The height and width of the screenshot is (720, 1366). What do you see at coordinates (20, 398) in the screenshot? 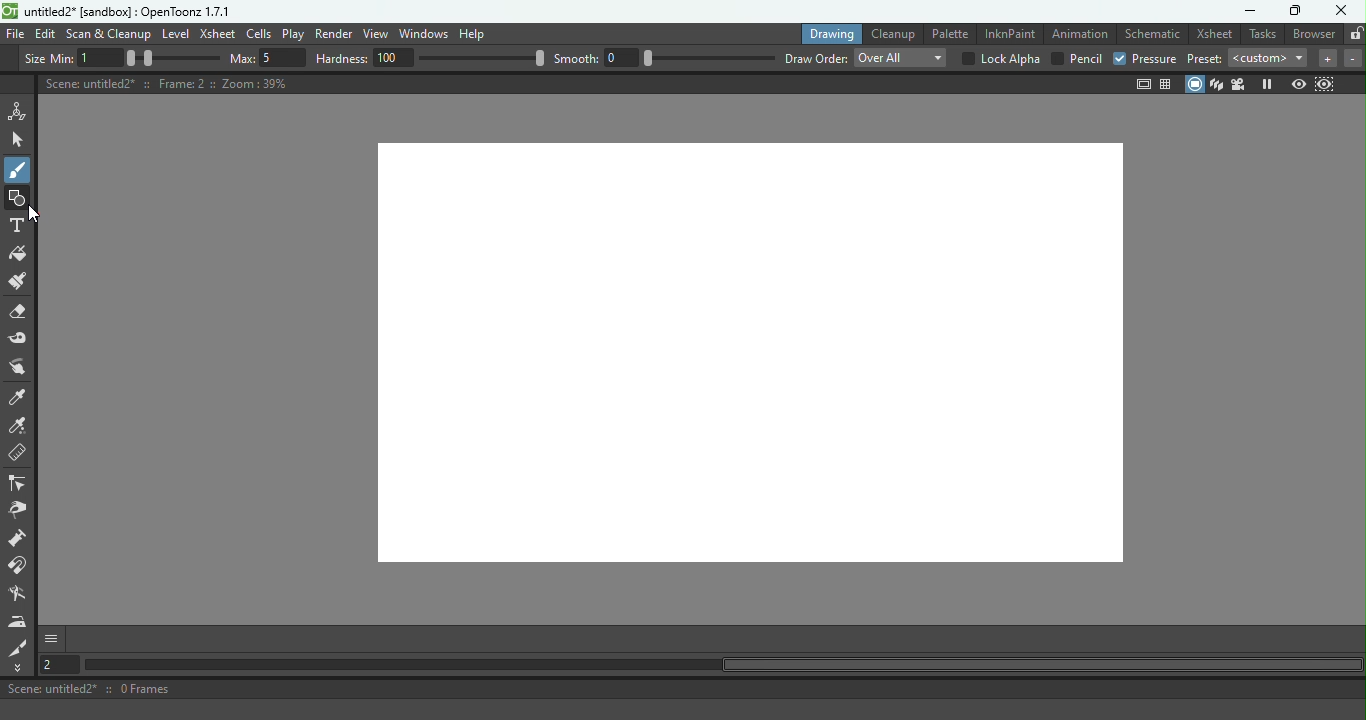
I see `Style picker tool` at bounding box center [20, 398].